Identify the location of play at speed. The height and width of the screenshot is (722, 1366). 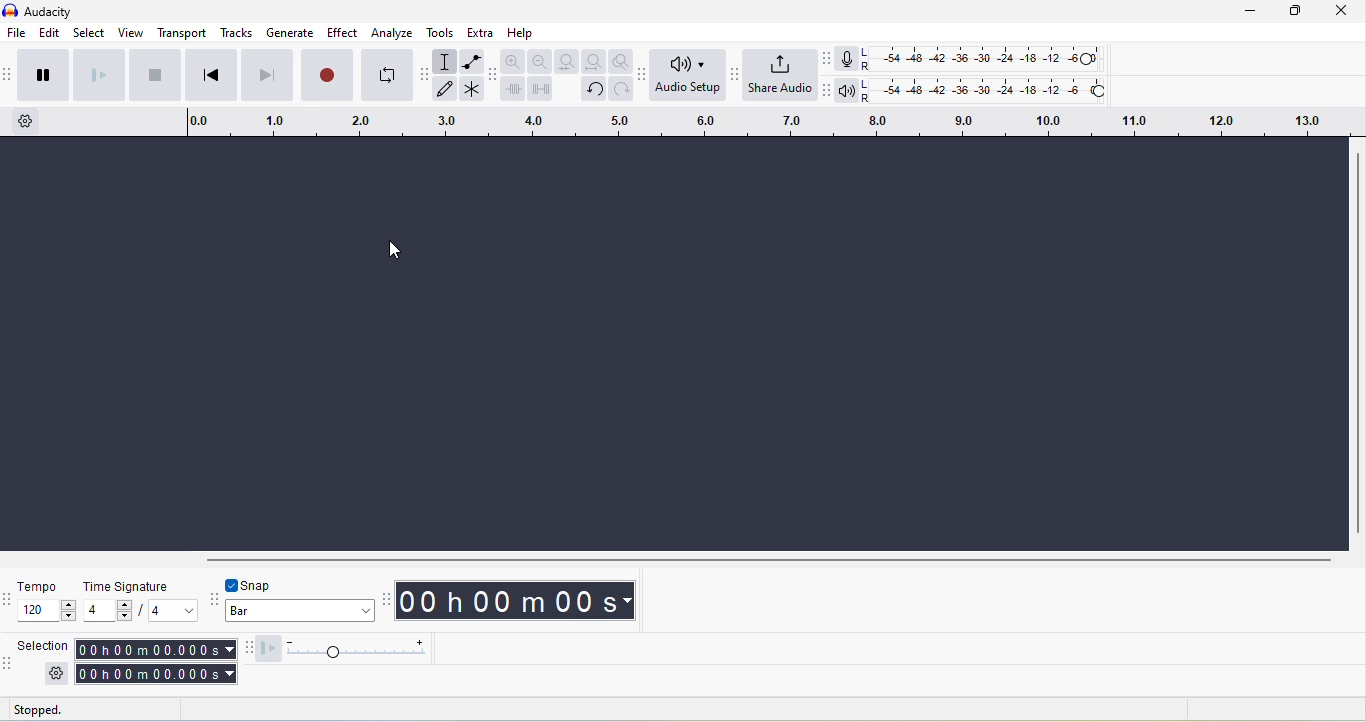
(355, 649).